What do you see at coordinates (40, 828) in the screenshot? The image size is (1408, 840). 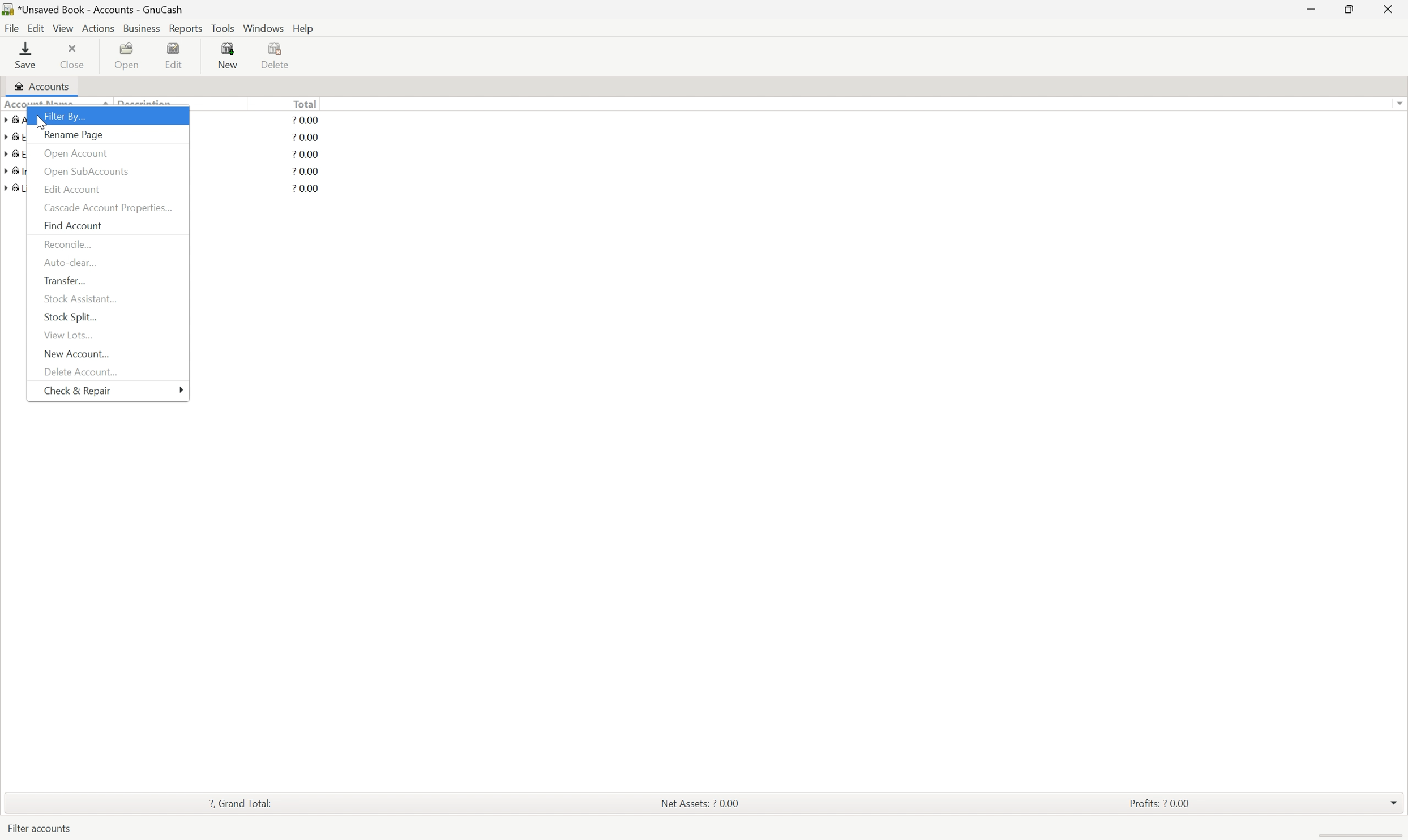 I see `Filter accounts` at bounding box center [40, 828].